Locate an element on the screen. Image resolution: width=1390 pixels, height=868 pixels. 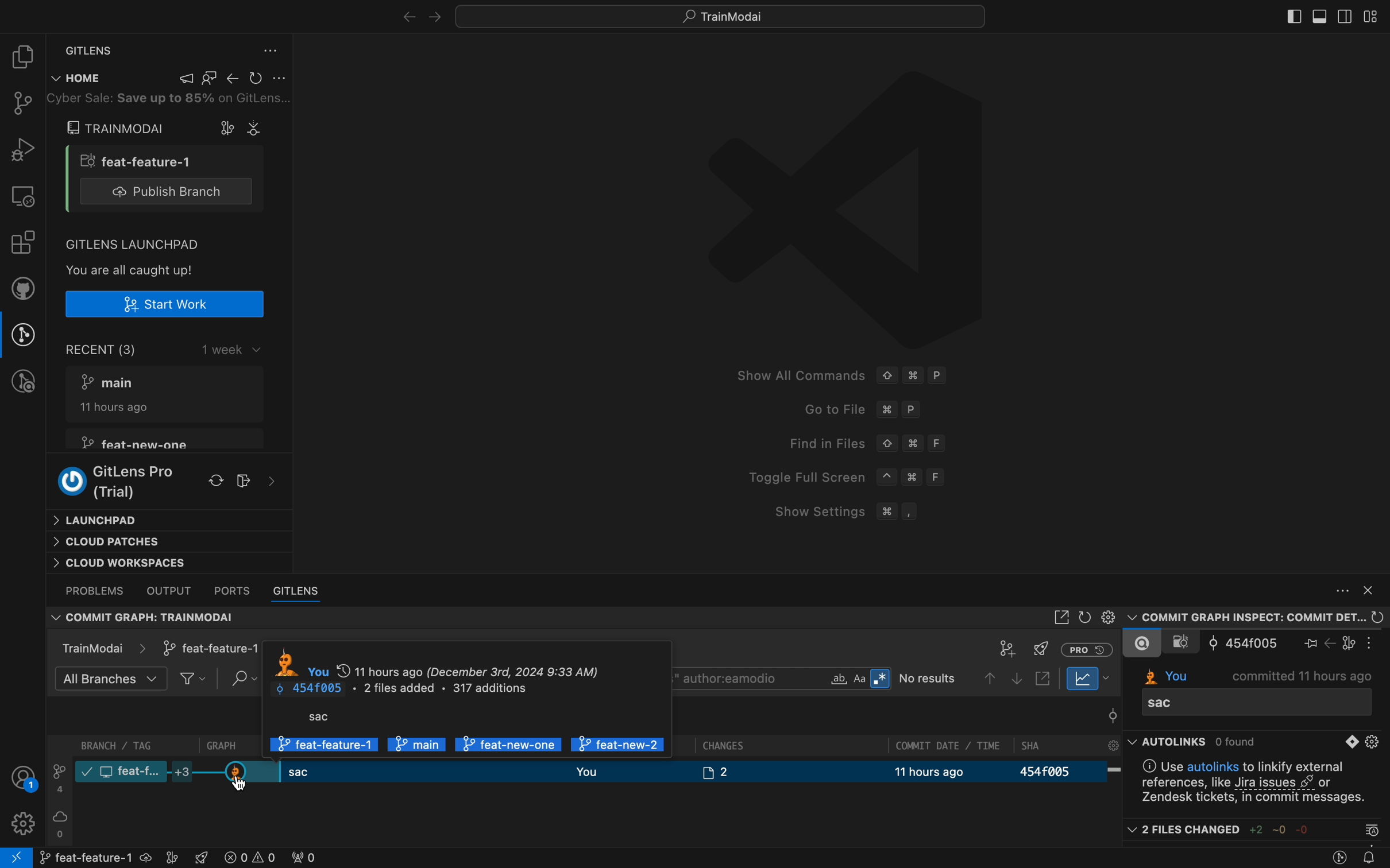
author information  is located at coordinates (469, 699).